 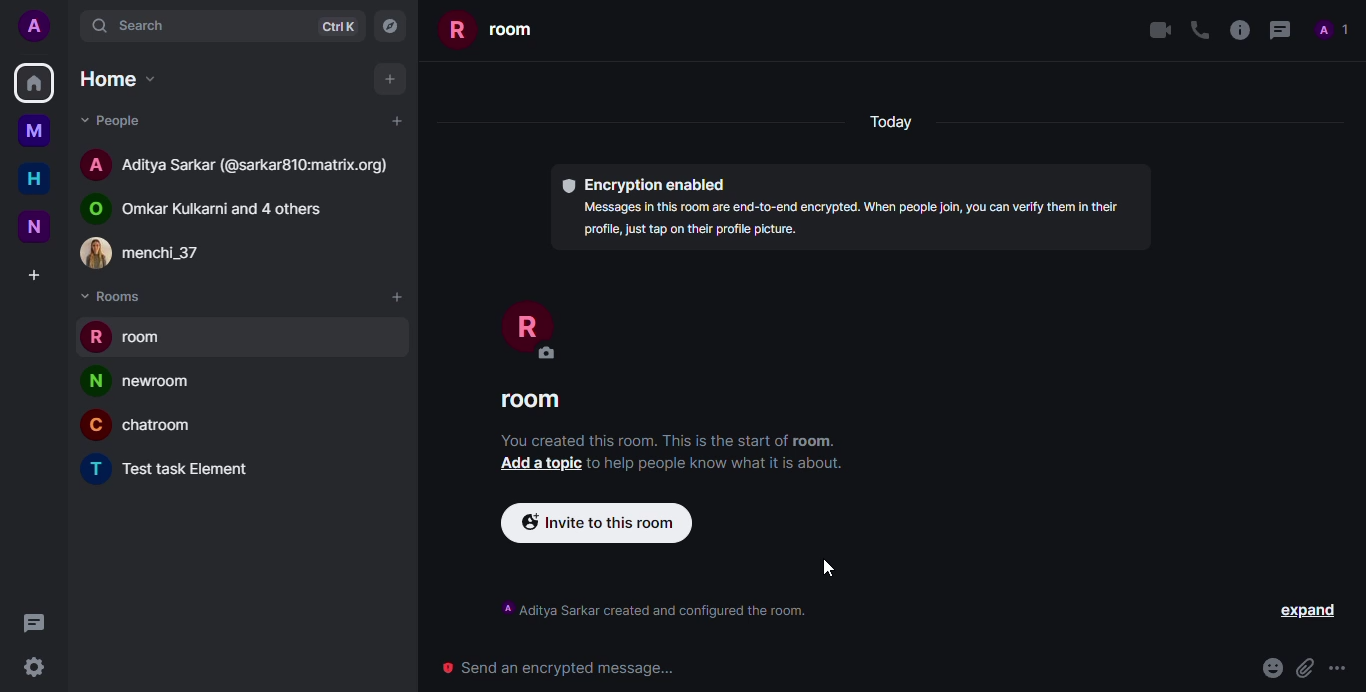 What do you see at coordinates (893, 119) in the screenshot?
I see `today` at bounding box center [893, 119].